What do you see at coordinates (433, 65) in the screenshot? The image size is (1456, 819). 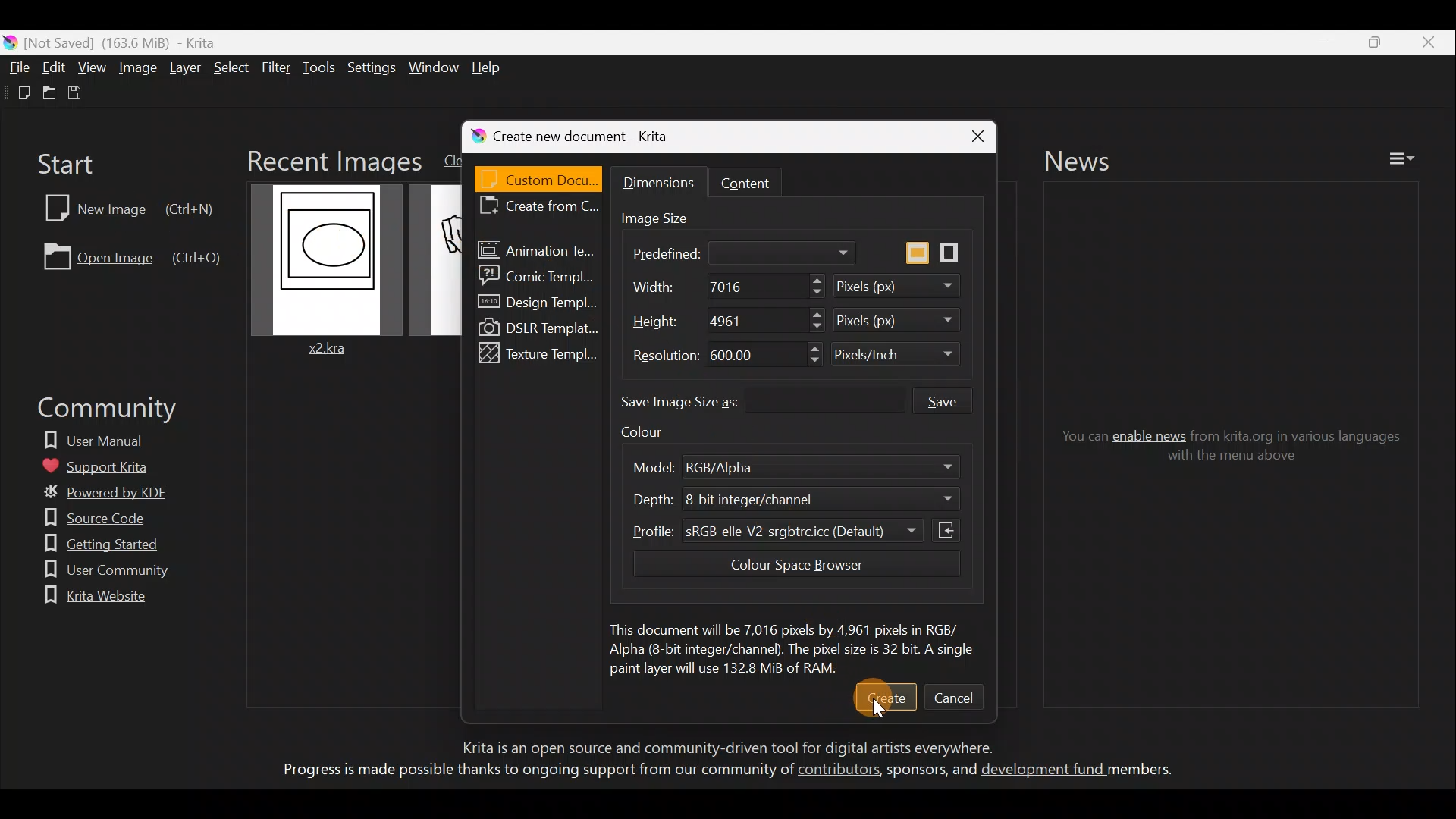 I see `Window` at bounding box center [433, 65].